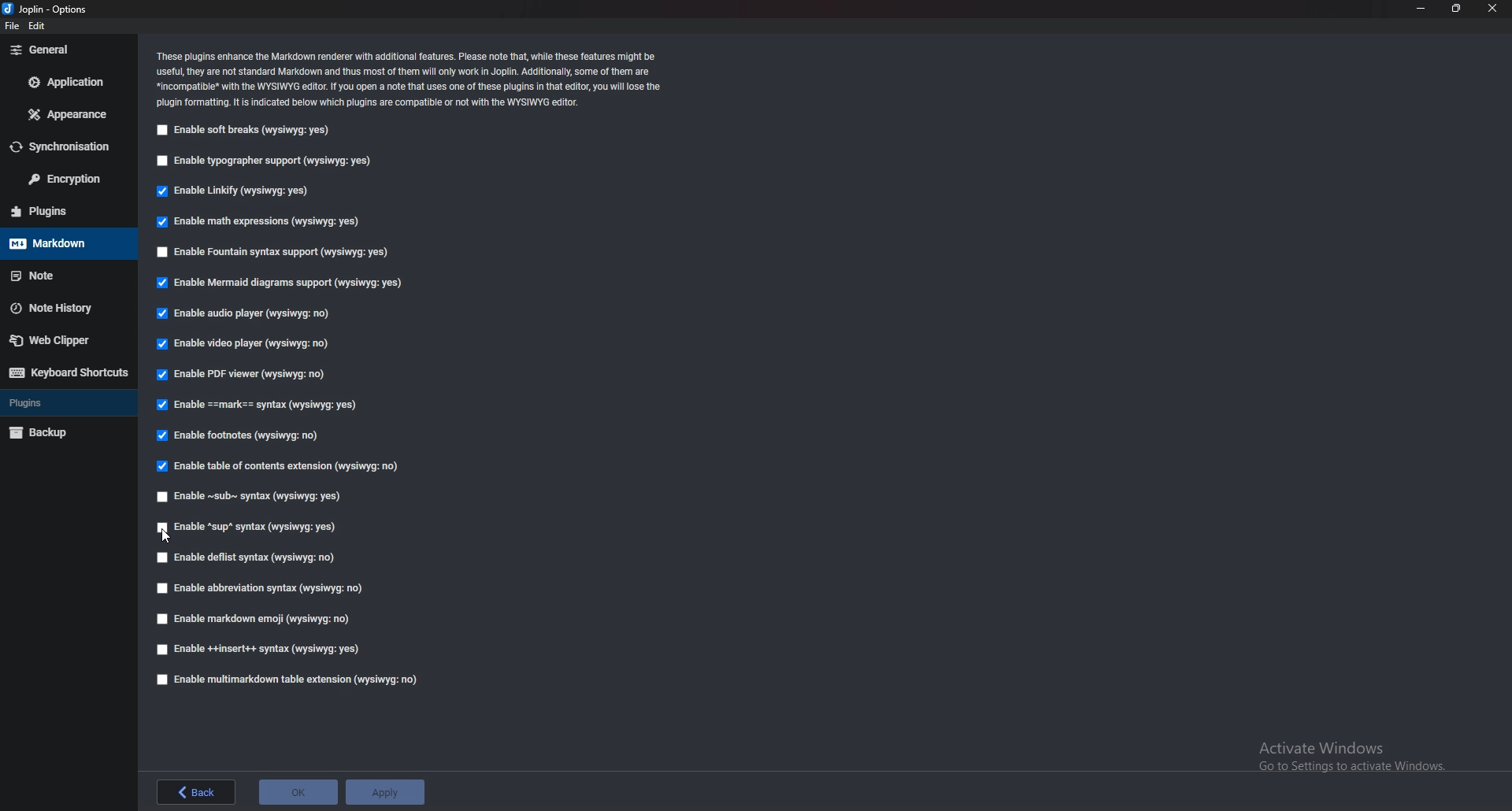  I want to click on Enable markdown emoji (wysiwyg: no), so click(258, 618).